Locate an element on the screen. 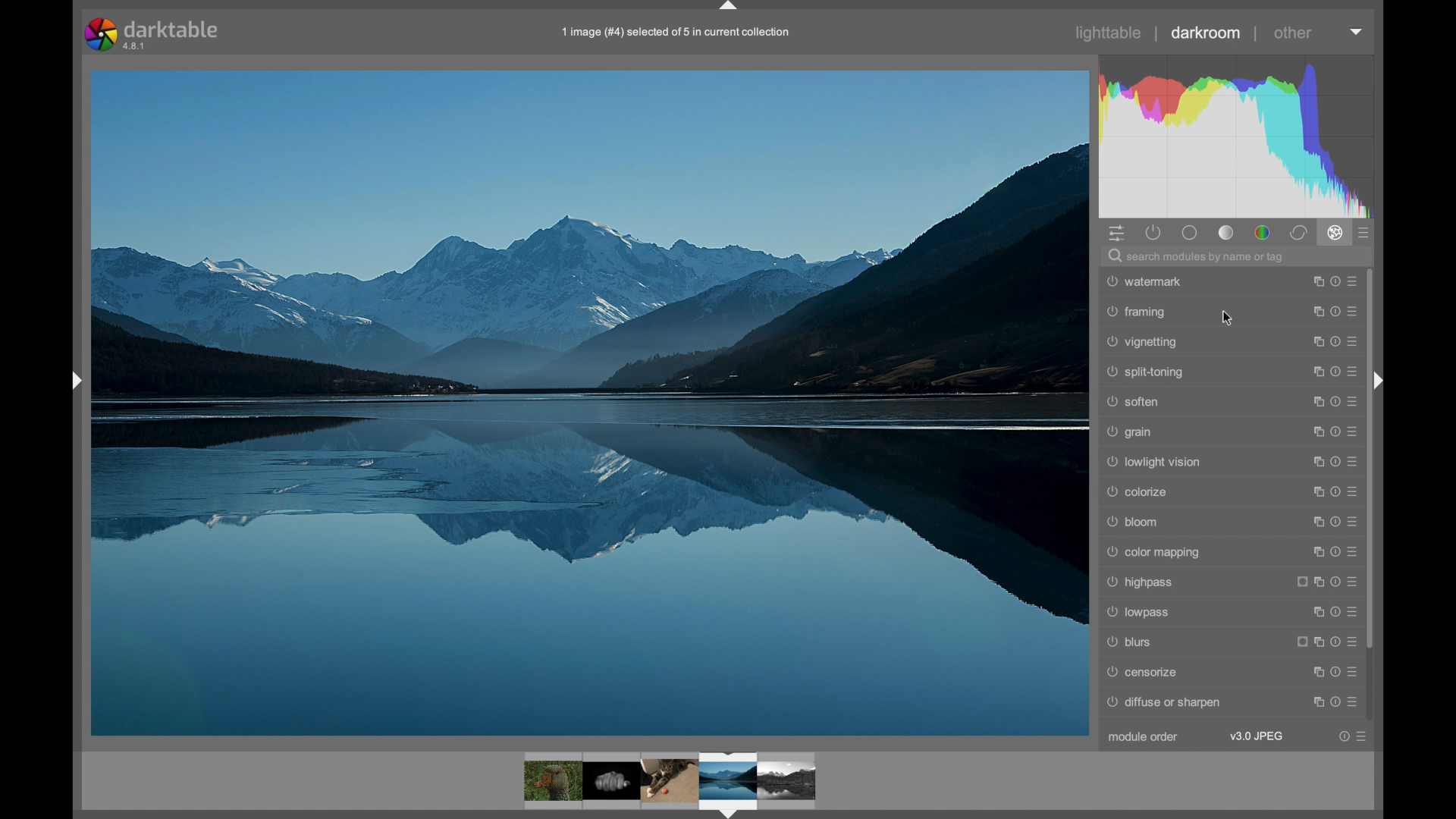 Image resolution: width=1456 pixels, height=819 pixels. photo preview is located at coordinates (672, 783).